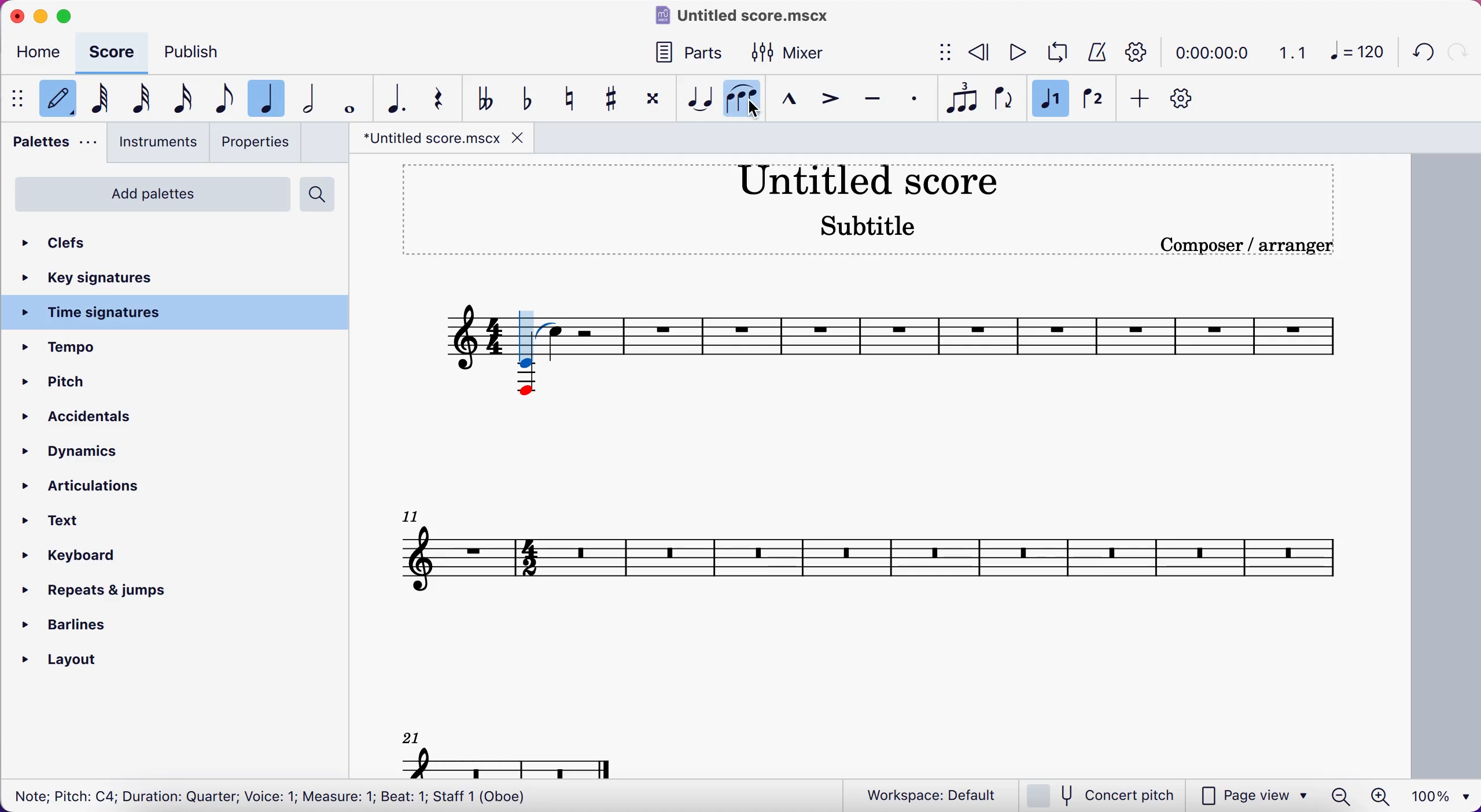 The image size is (1481, 812). What do you see at coordinates (1355, 56) in the screenshot?
I see `120` at bounding box center [1355, 56].